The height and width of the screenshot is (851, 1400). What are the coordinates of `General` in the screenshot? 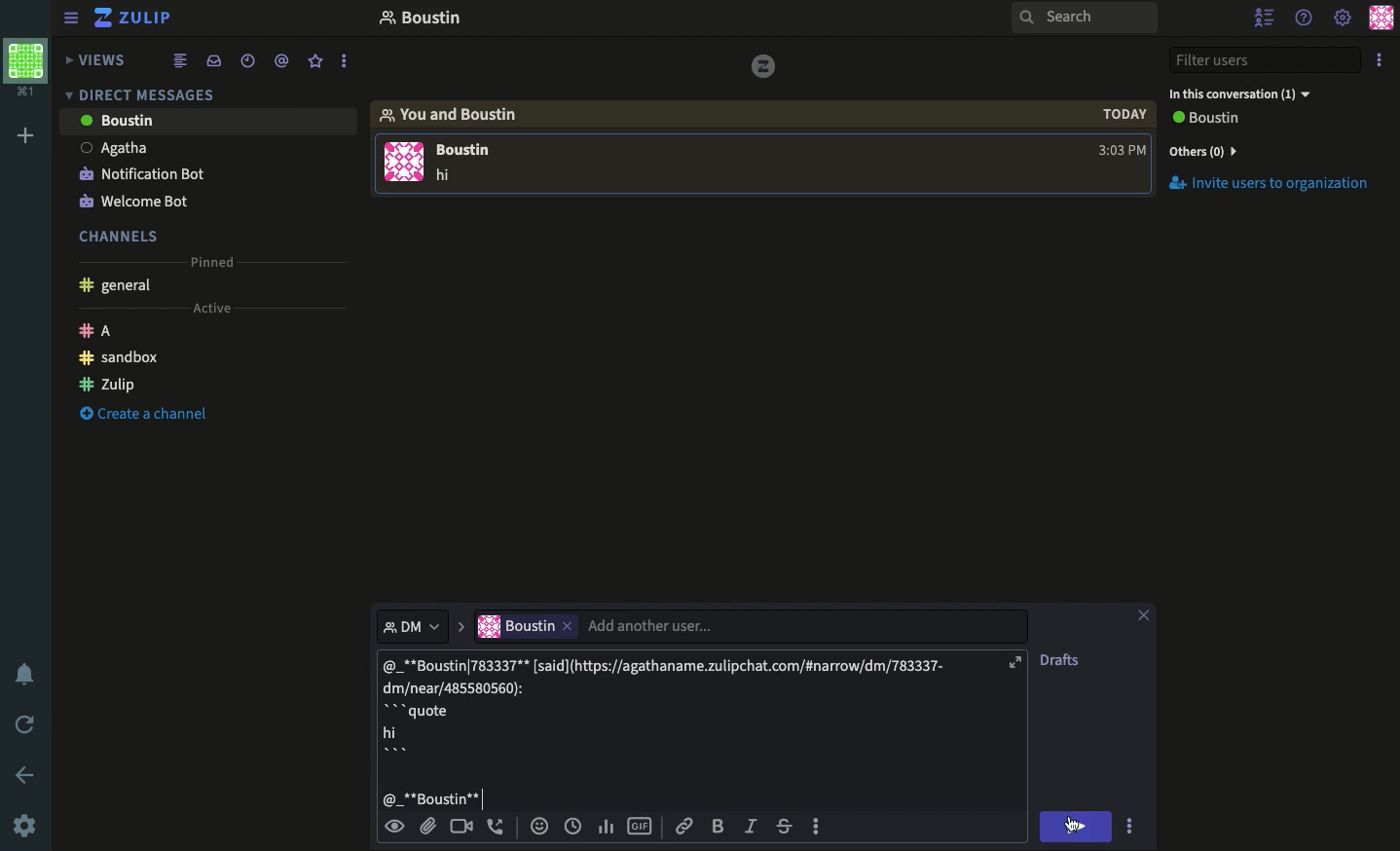 It's located at (119, 285).